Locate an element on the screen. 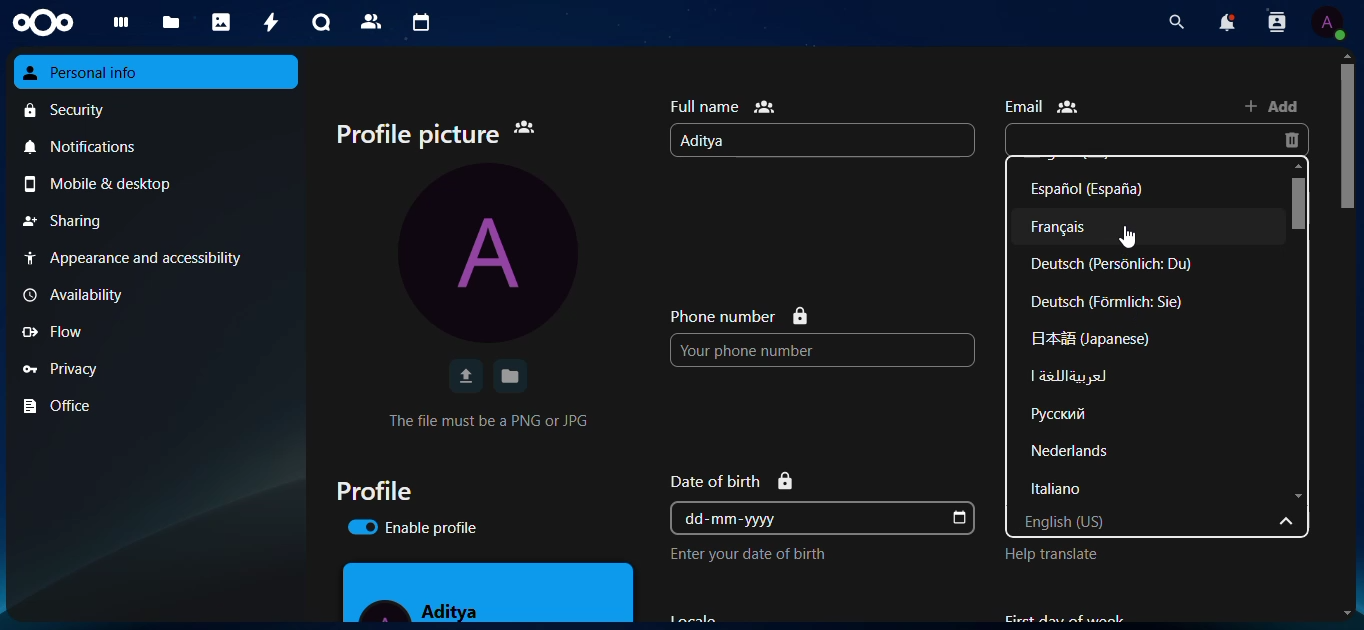 The width and height of the screenshot is (1364, 630). photos is located at coordinates (222, 22).